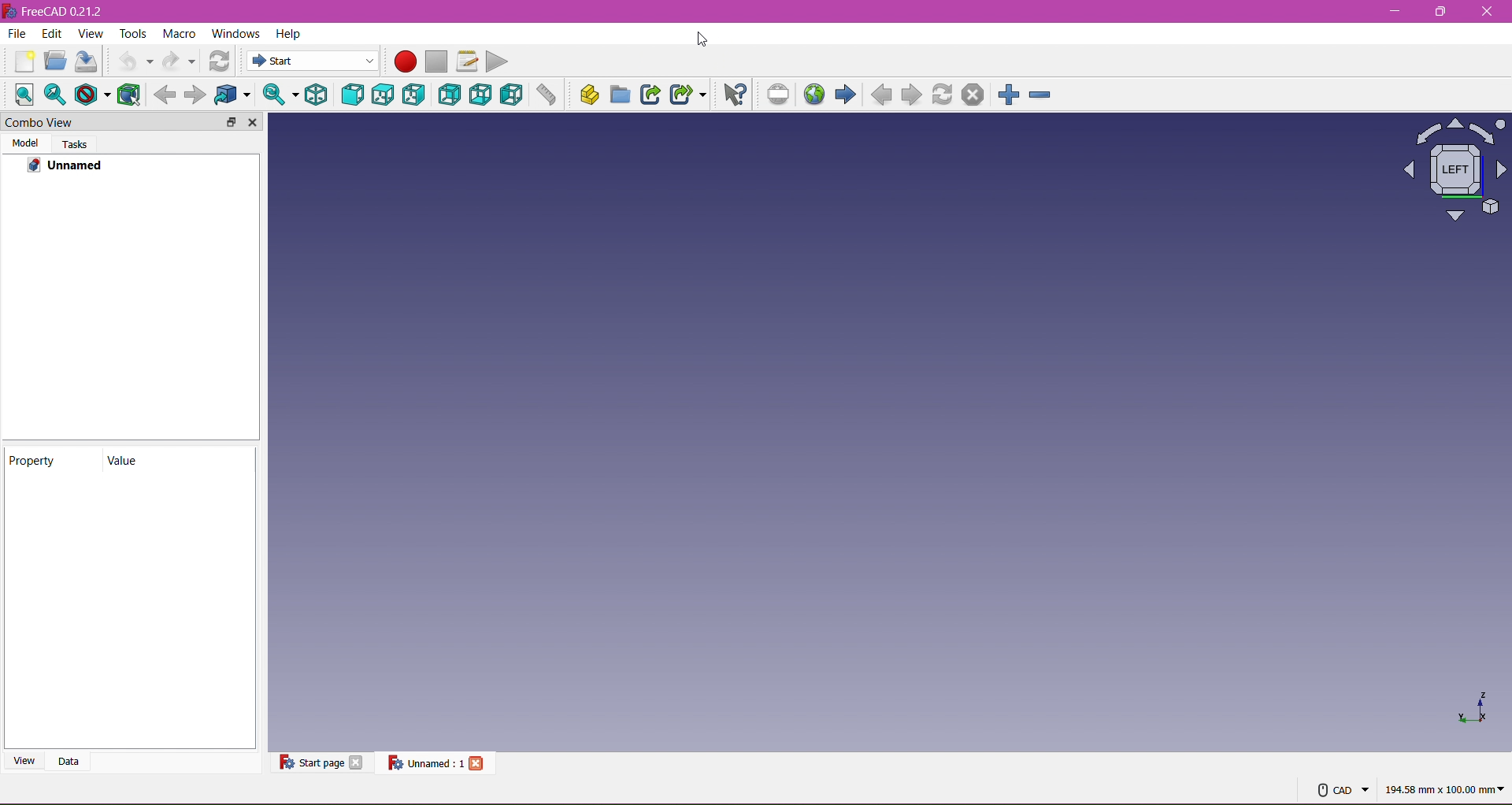 This screenshot has height=805, width=1512. What do you see at coordinates (135, 61) in the screenshot?
I see `Undo` at bounding box center [135, 61].